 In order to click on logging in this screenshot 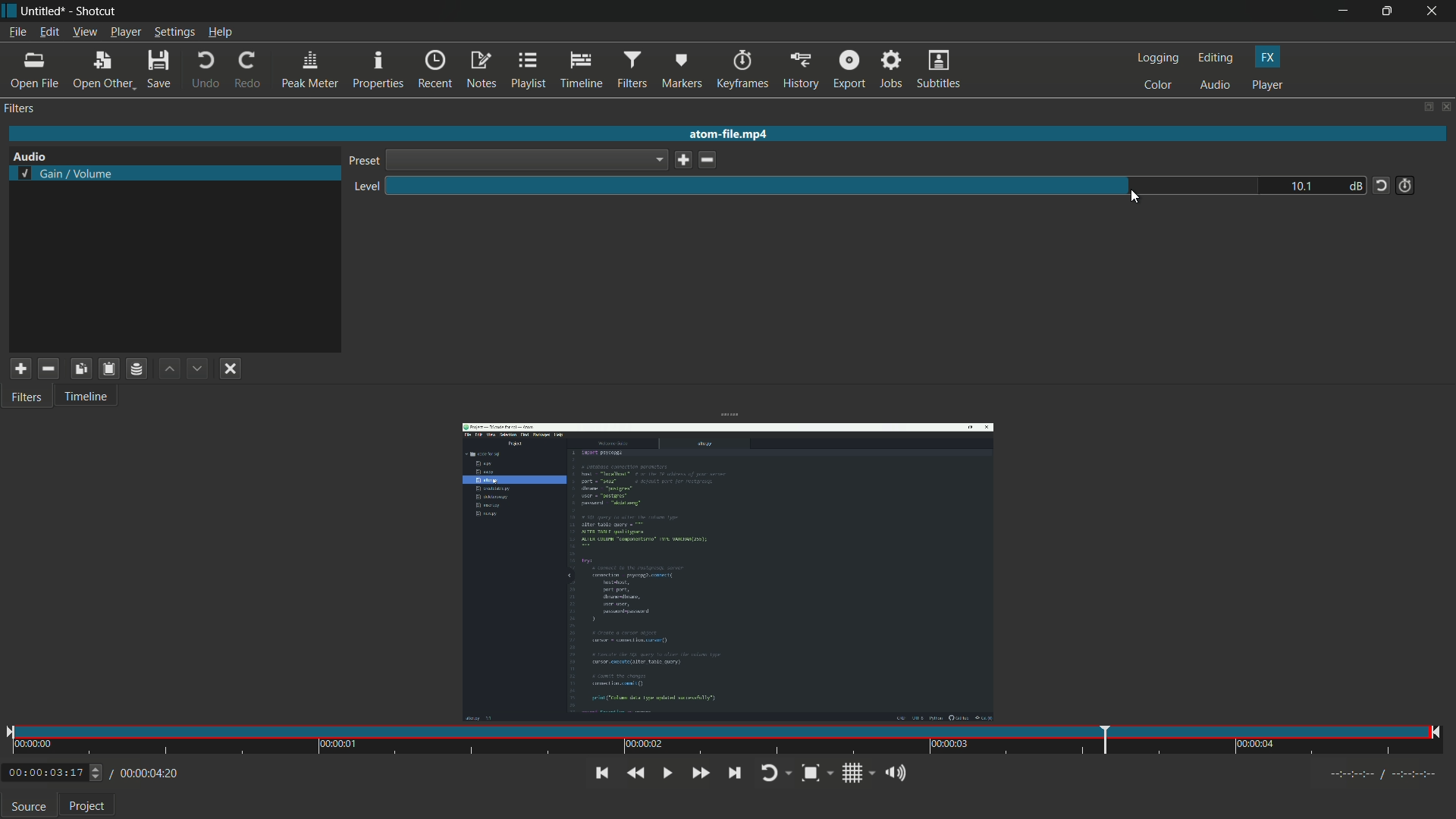, I will do `click(1157, 58)`.